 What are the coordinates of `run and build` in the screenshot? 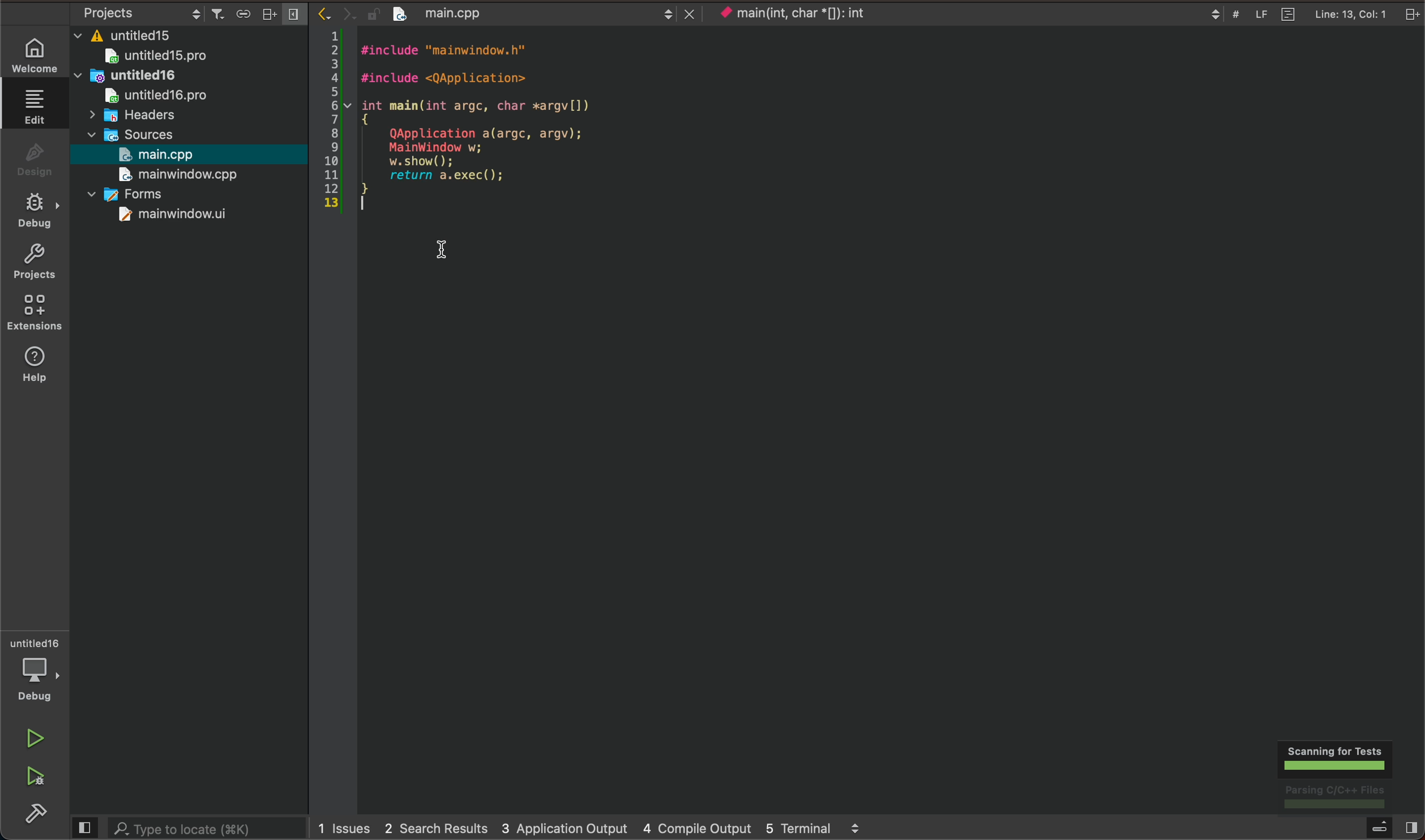 It's located at (35, 777).